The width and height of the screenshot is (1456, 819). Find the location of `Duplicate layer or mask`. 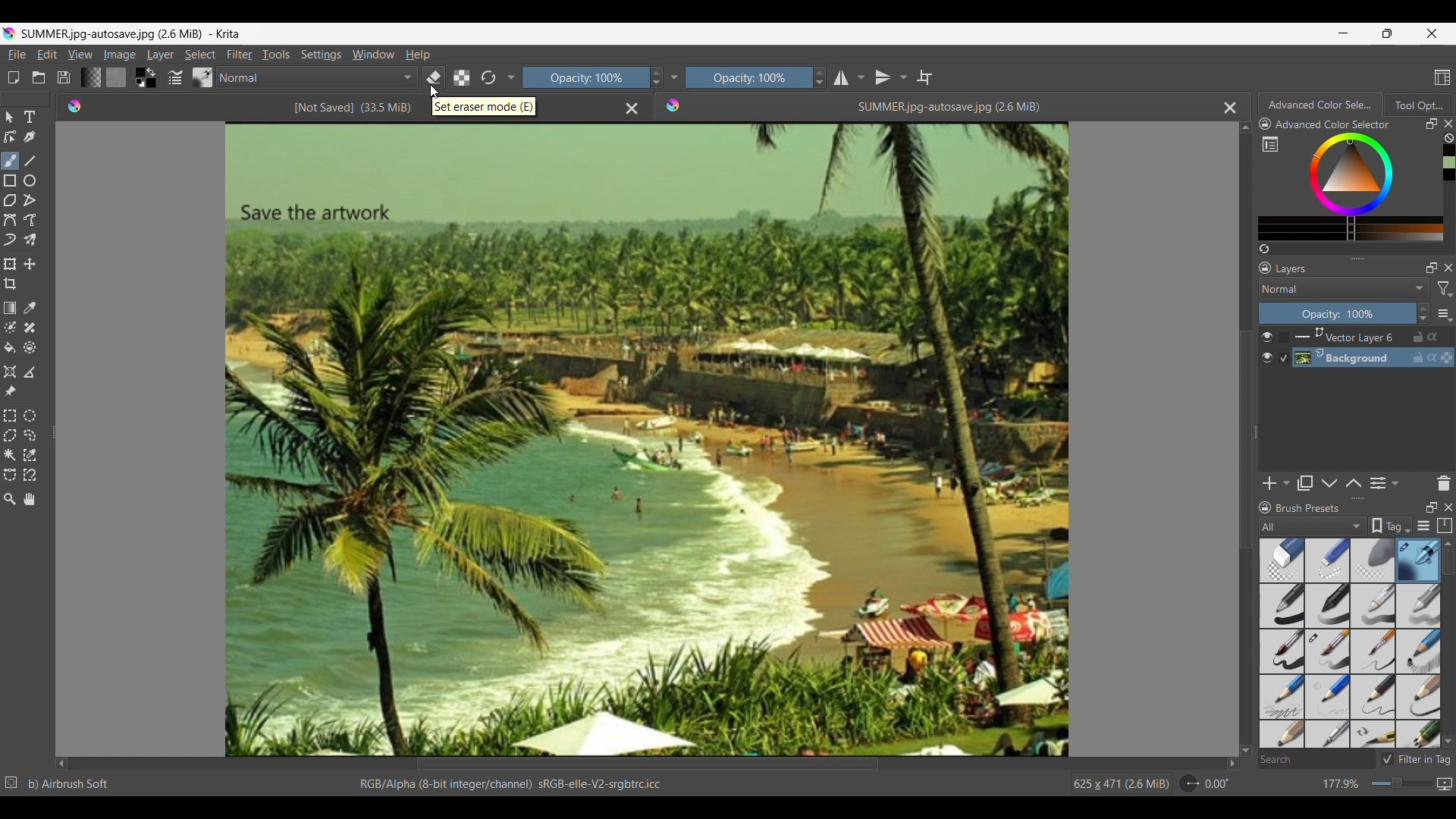

Duplicate layer or mask is located at coordinates (1304, 483).